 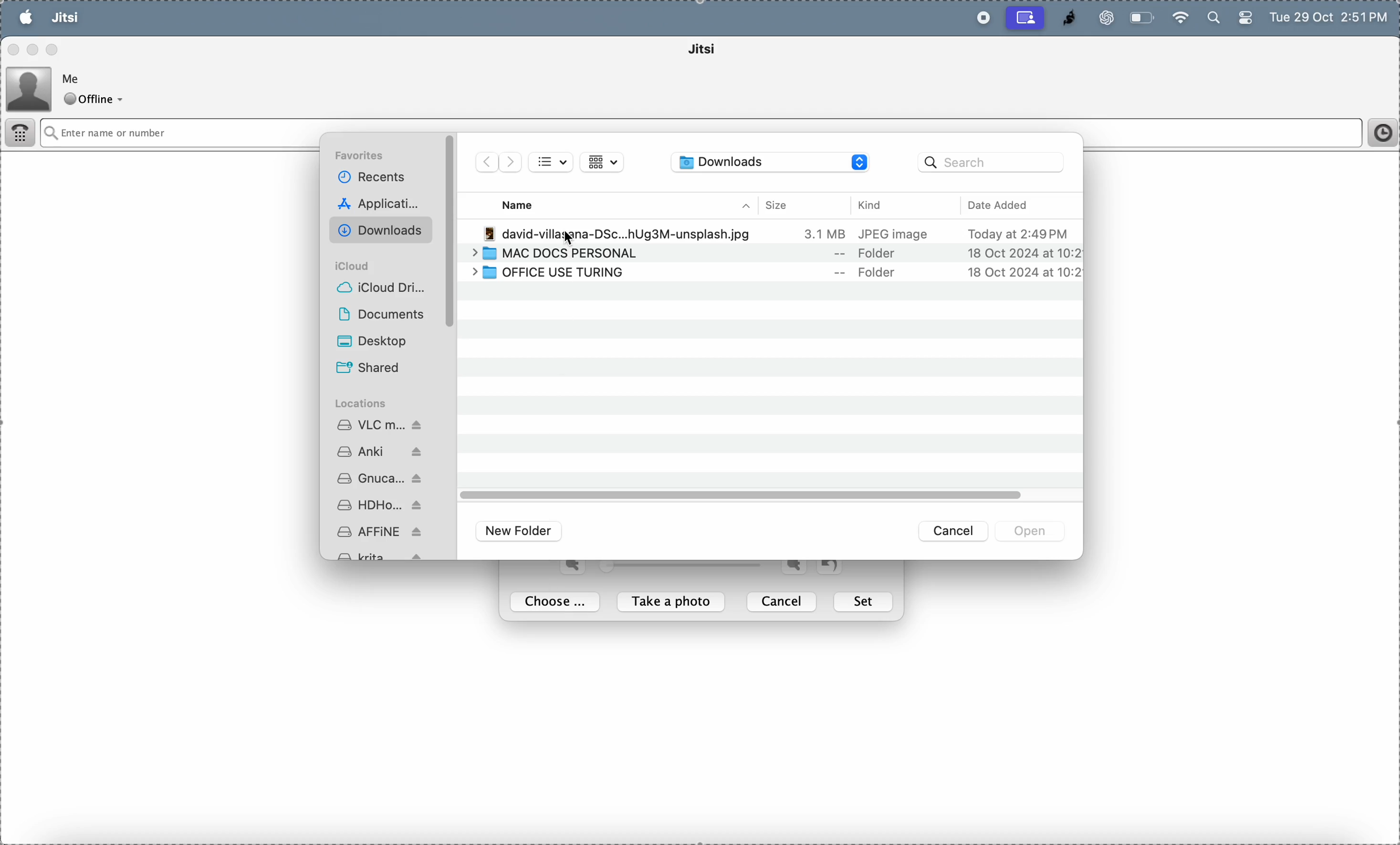 What do you see at coordinates (1032, 531) in the screenshot?
I see `open` at bounding box center [1032, 531].